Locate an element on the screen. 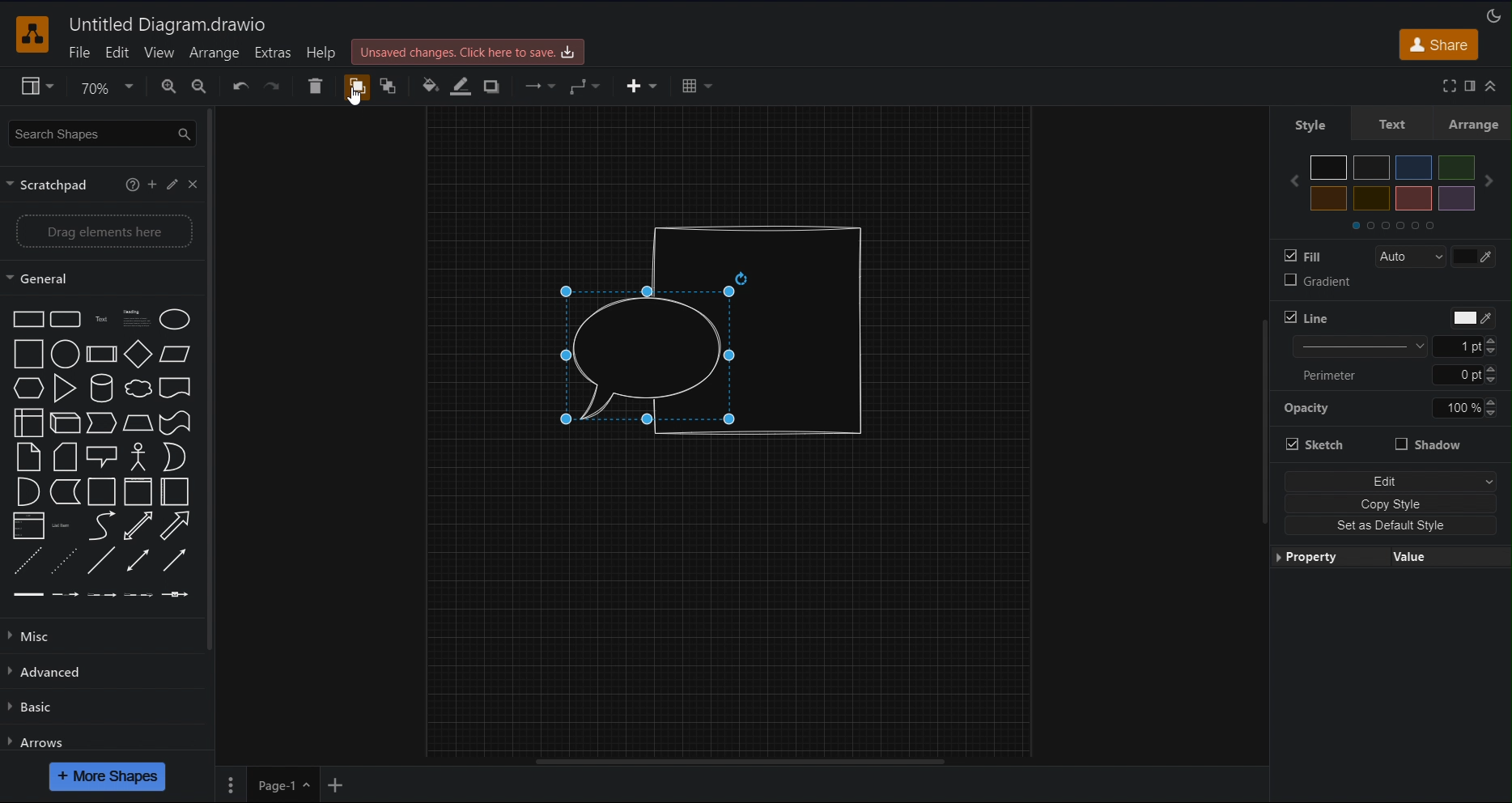  Full screen is located at coordinates (1450, 86).